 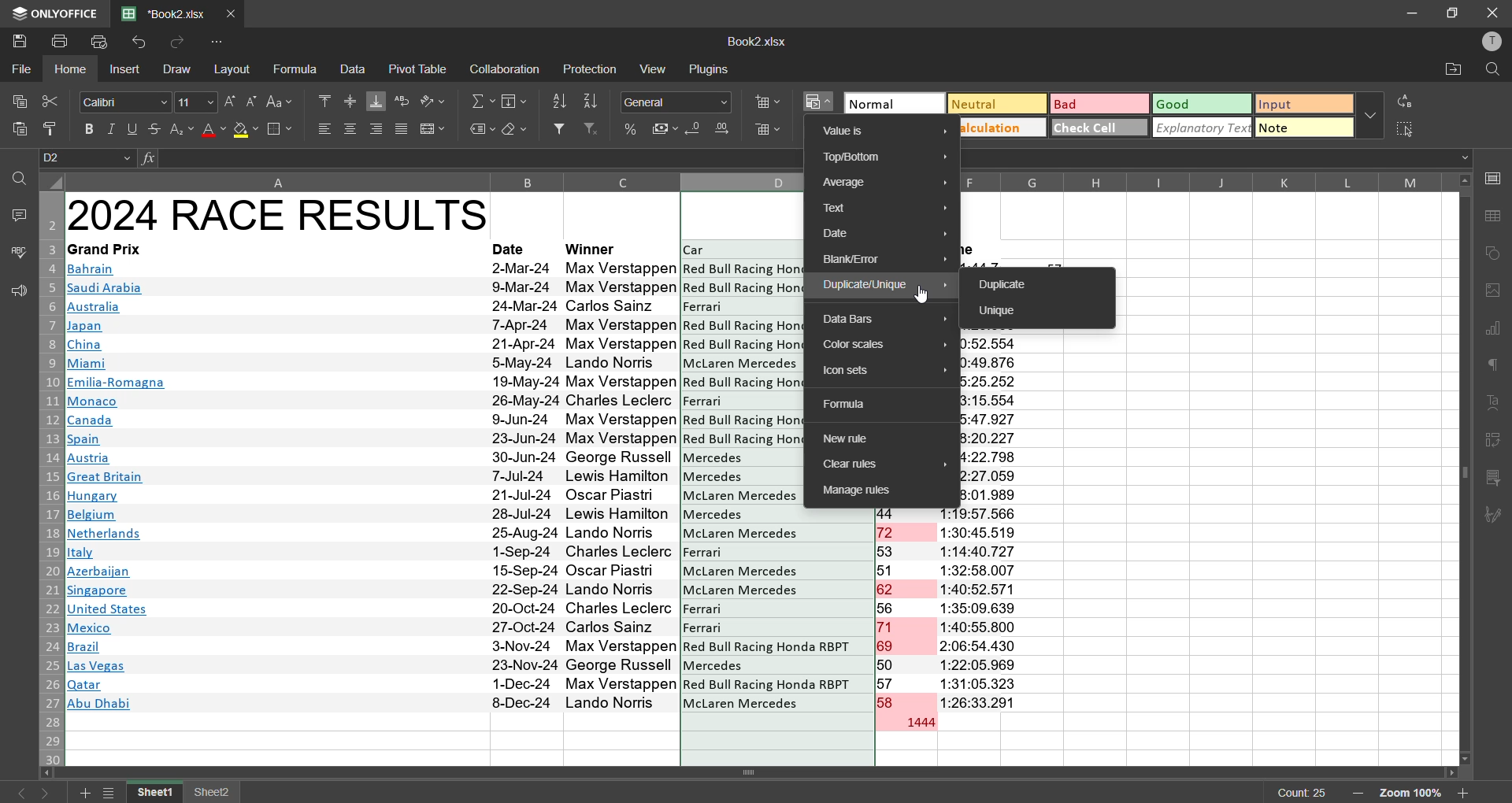 What do you see at coordinates (1303, 793) in the screenshot?
I see `count 25` at bounding box center [1303, 793].